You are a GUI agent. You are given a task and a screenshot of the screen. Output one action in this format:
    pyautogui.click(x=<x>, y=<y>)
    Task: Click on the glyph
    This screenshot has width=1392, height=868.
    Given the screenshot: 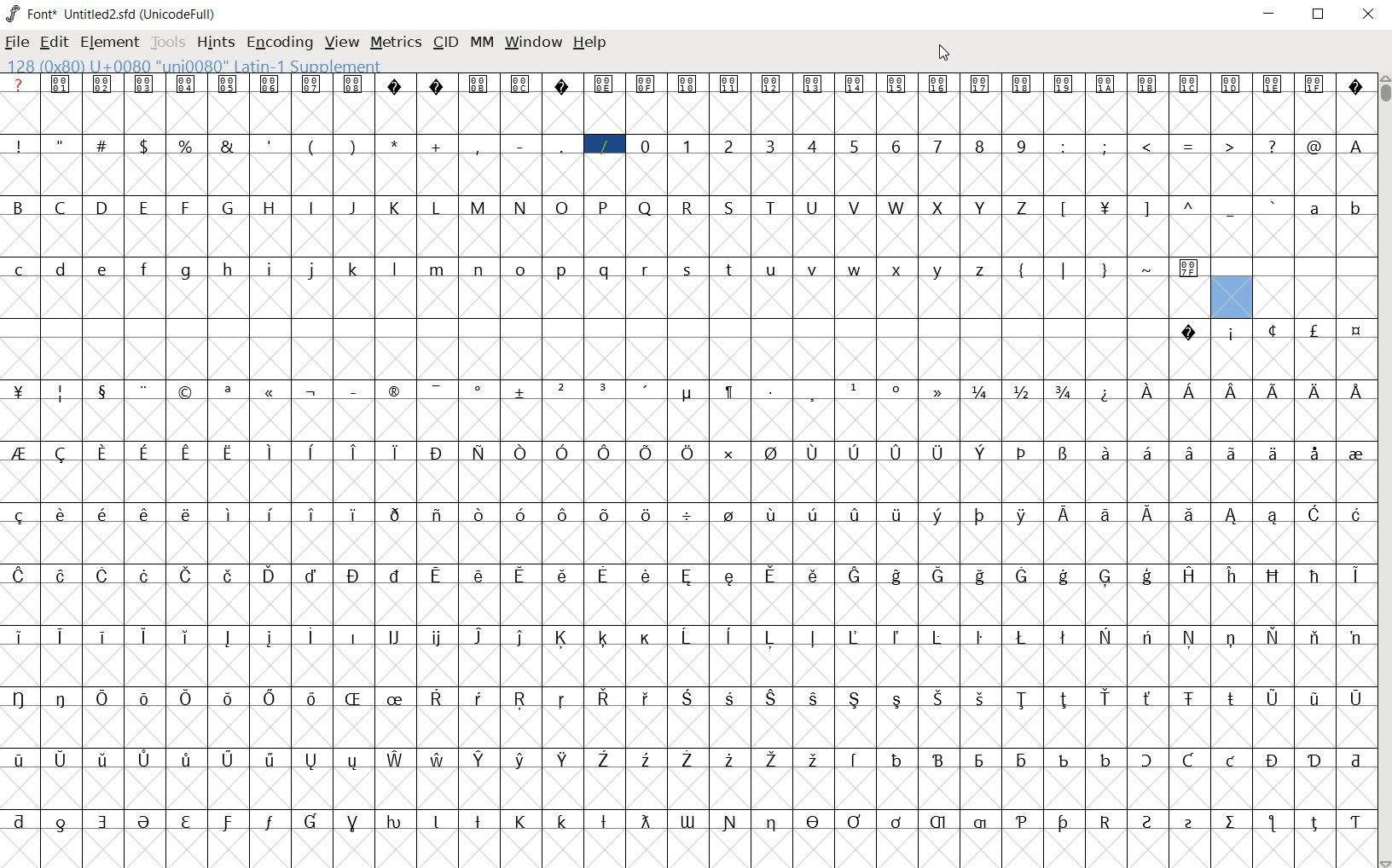 What is the action you would take?
    pyautogui.click(x=354, y=84)
    